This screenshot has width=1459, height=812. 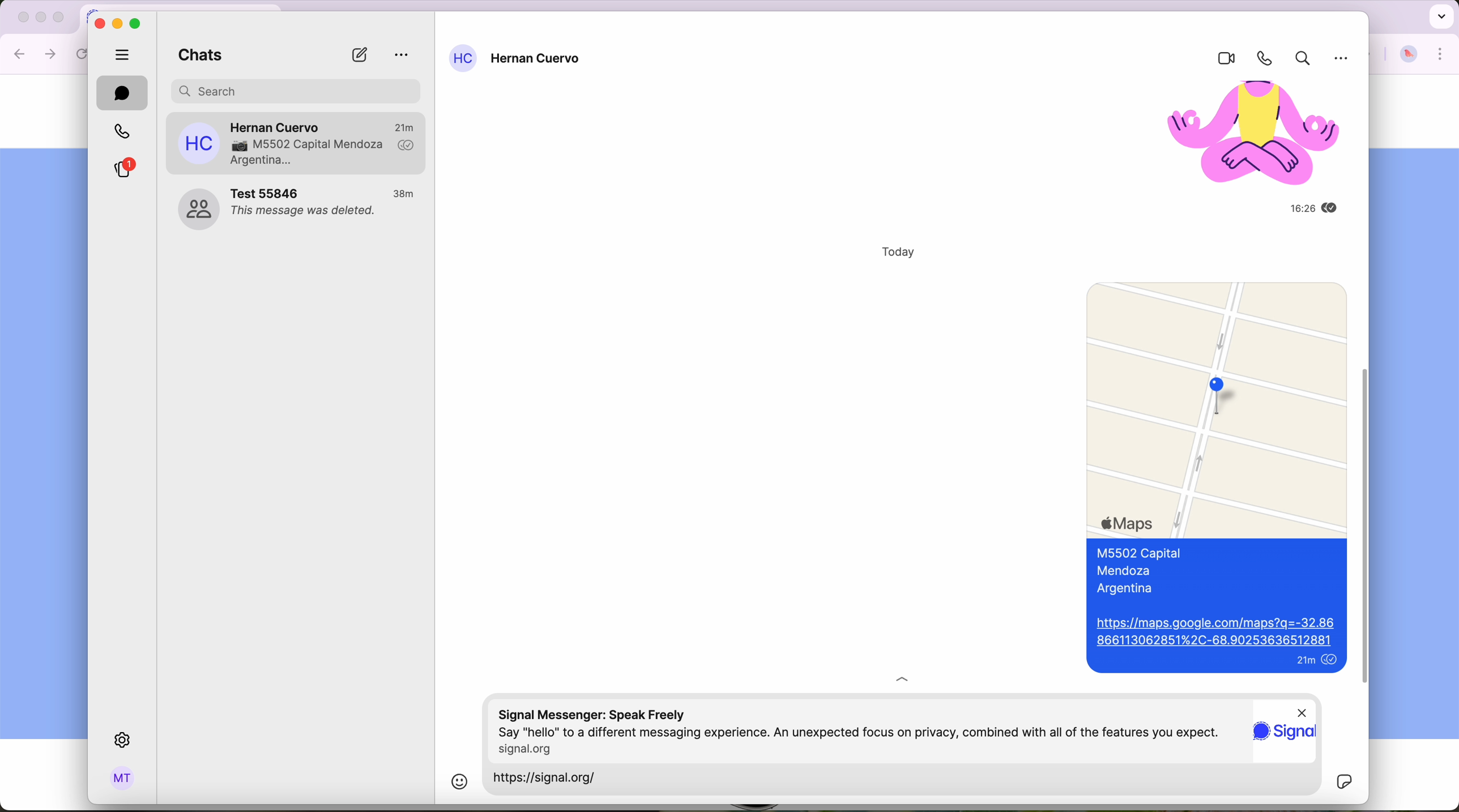 I want to click on Argentina, so click(x=1122, y=588).